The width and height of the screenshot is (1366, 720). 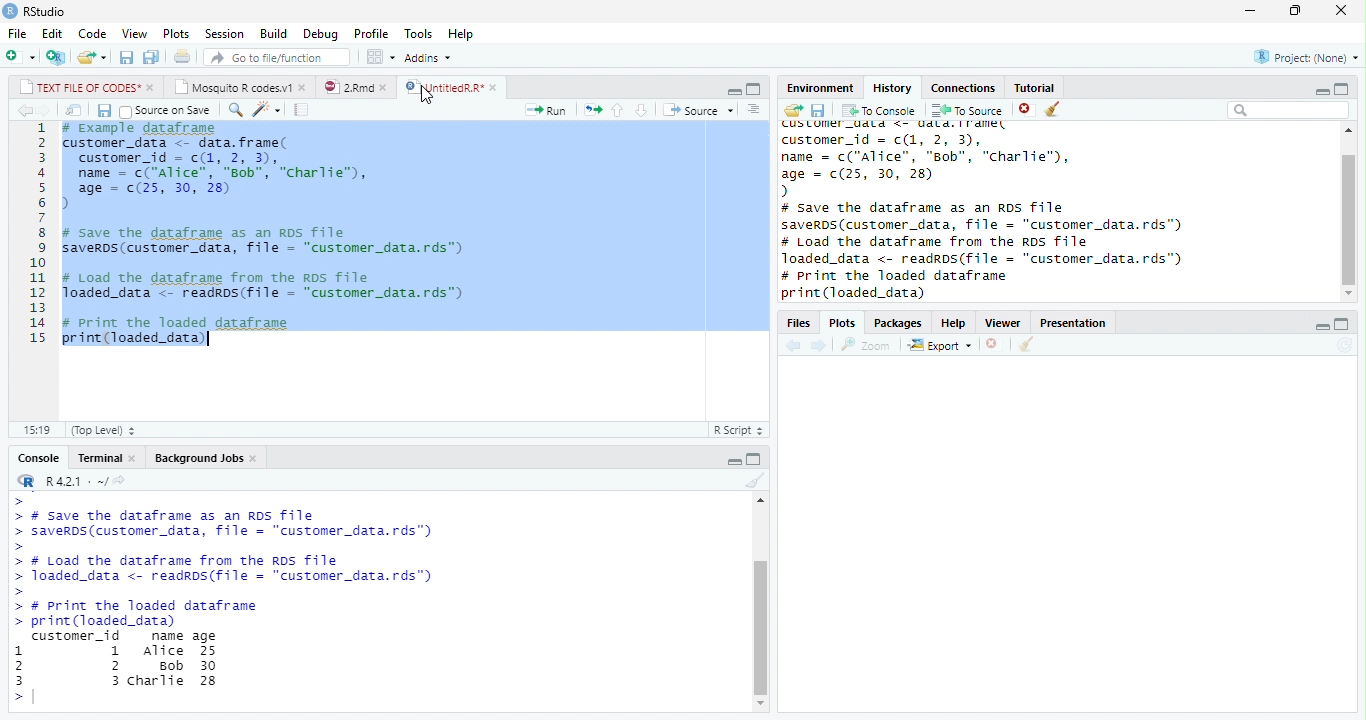 I want to click on 25 30 28, so click(x=208, y=666).